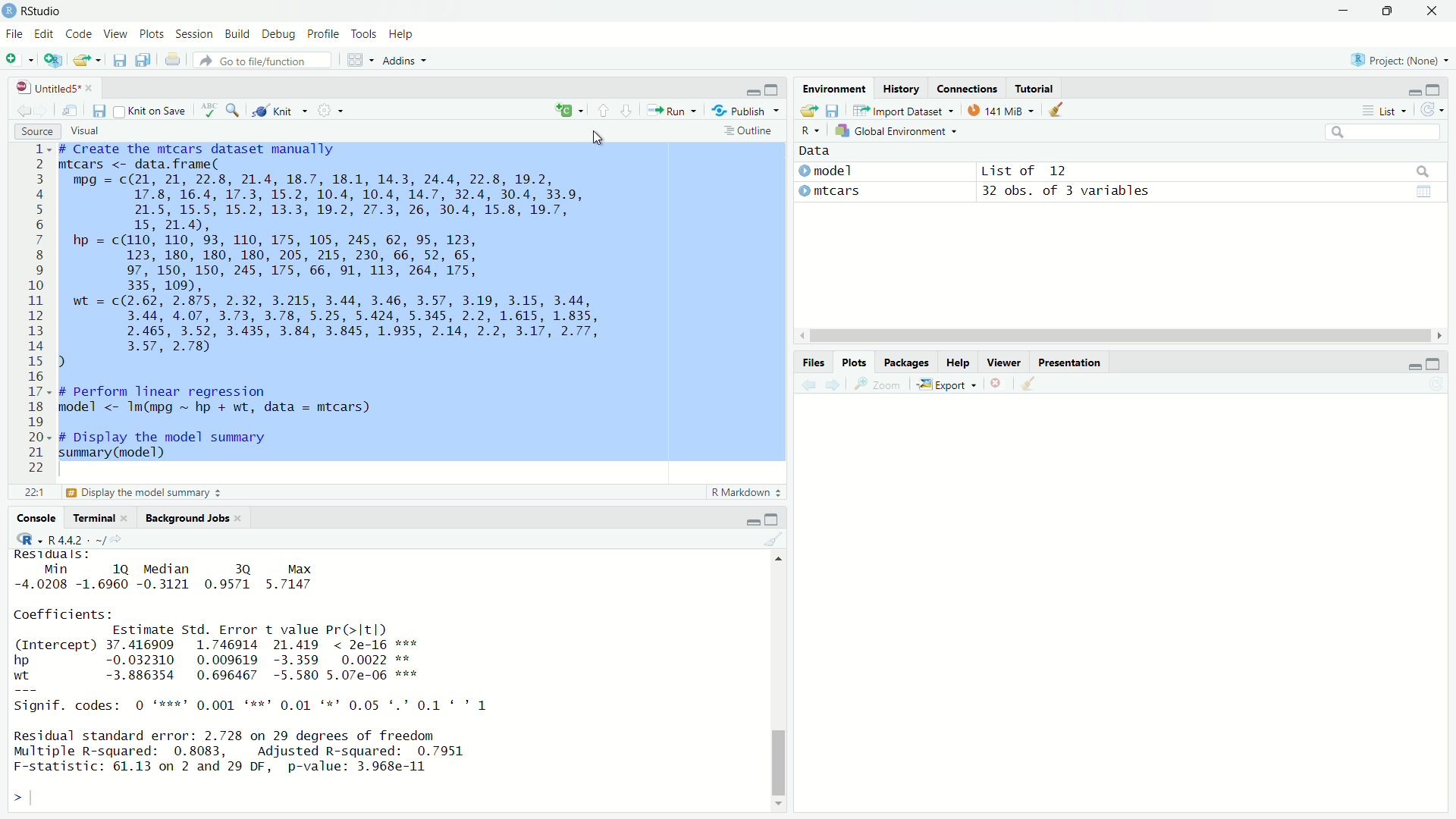 The width and height of the screenshot is (1456, 819). What do you see at coordinates (812, 384) in the screenshot?
I see `back` at bounding box center [812, 384].